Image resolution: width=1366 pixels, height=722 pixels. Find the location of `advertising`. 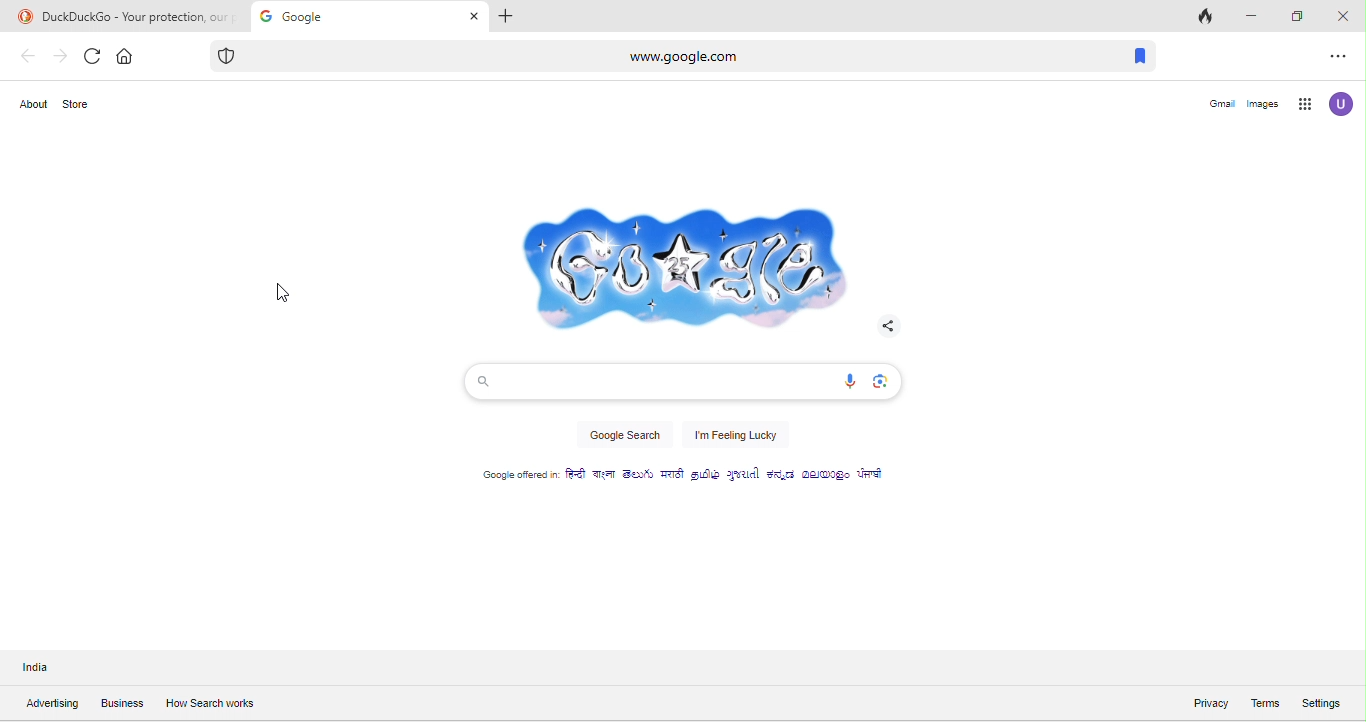

advertising is located at coordinates (51, 704).